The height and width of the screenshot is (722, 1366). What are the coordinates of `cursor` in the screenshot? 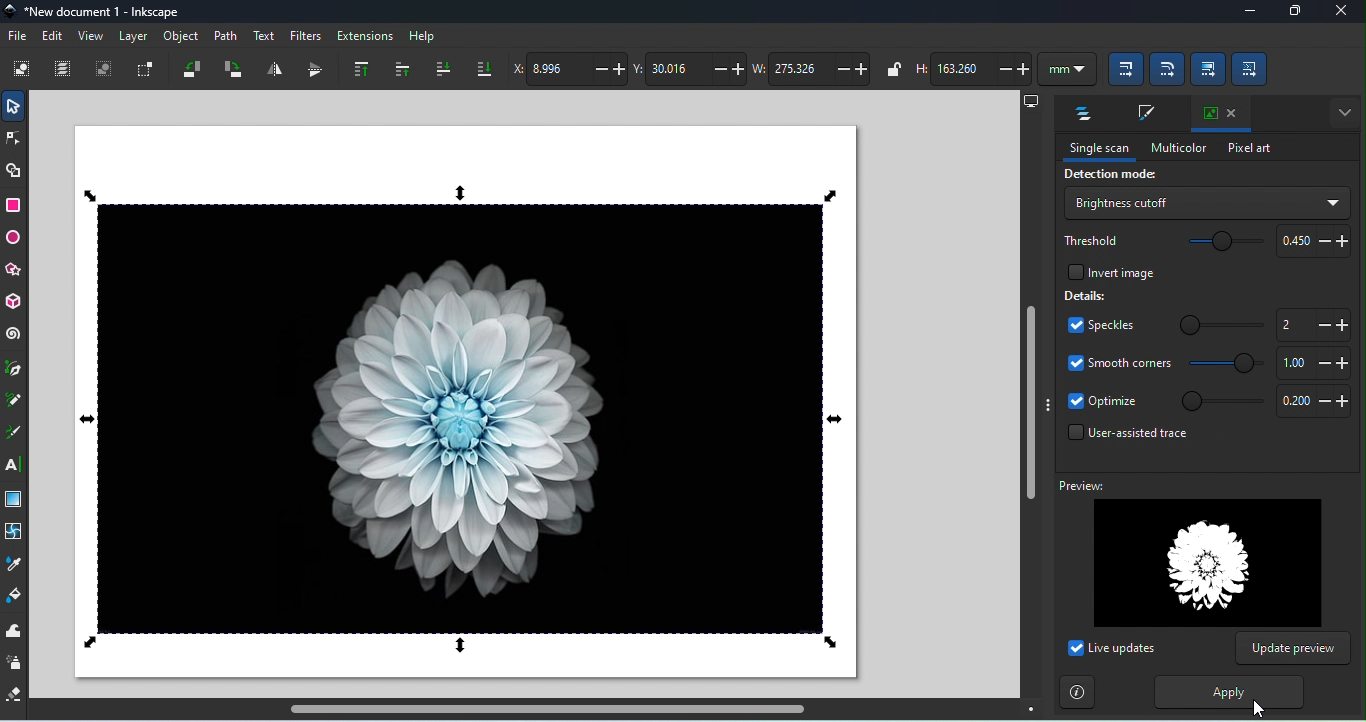 It's located at (1258, 709).